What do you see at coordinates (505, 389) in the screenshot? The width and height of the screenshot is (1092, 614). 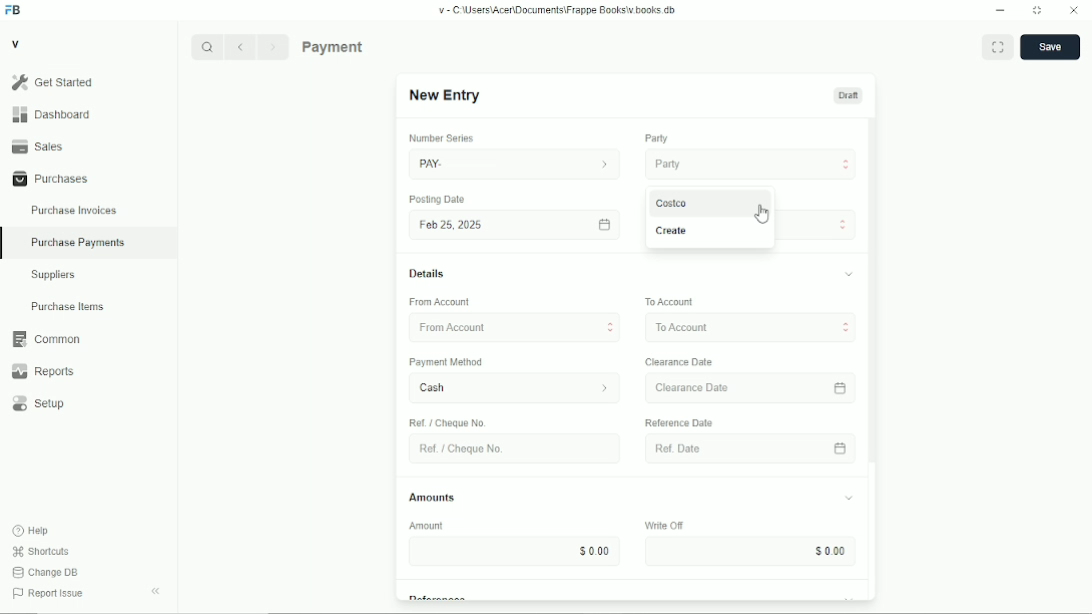 I see `Cash` at bounding box center [505, 389].